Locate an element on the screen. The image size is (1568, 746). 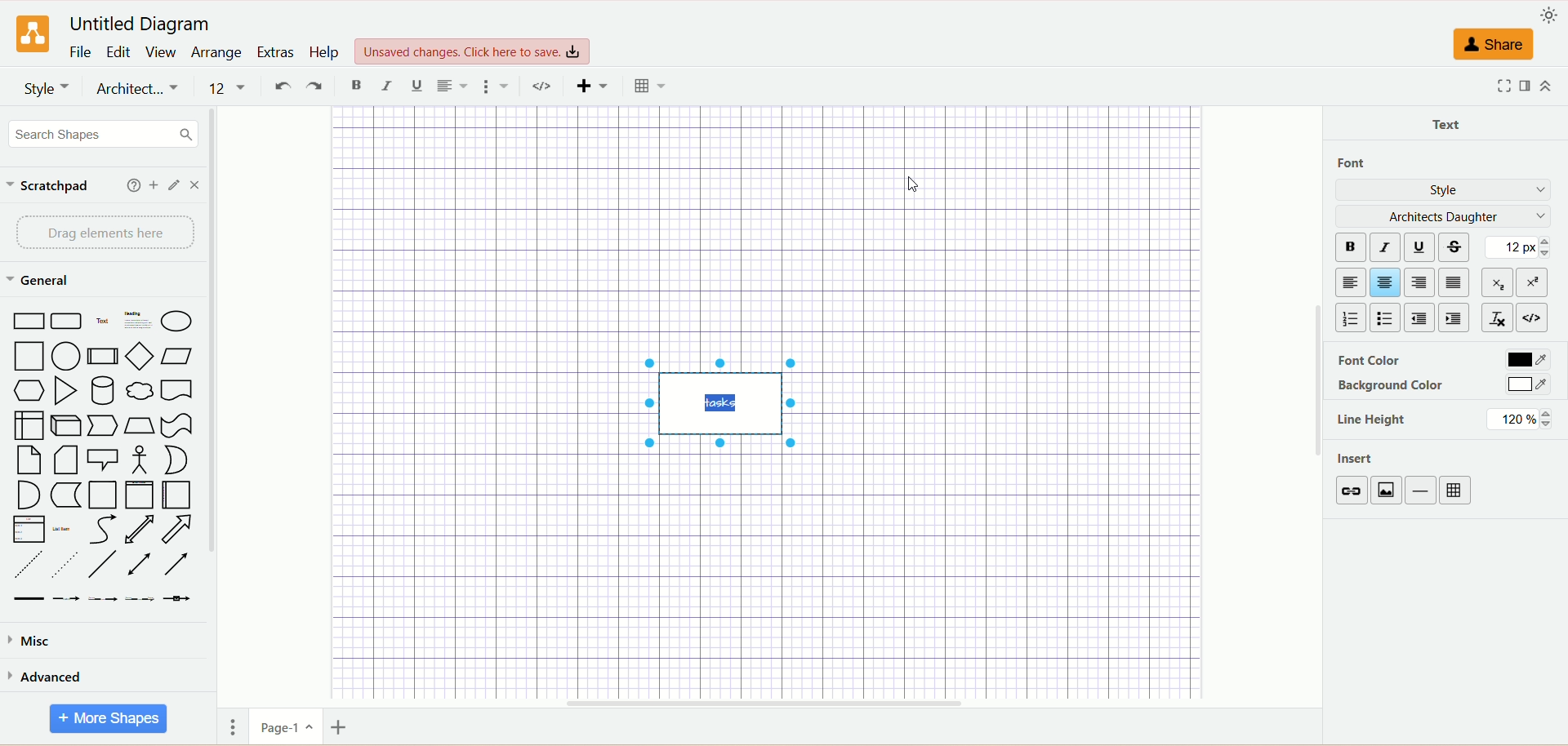
background color is located at coordinates (1392, 387).